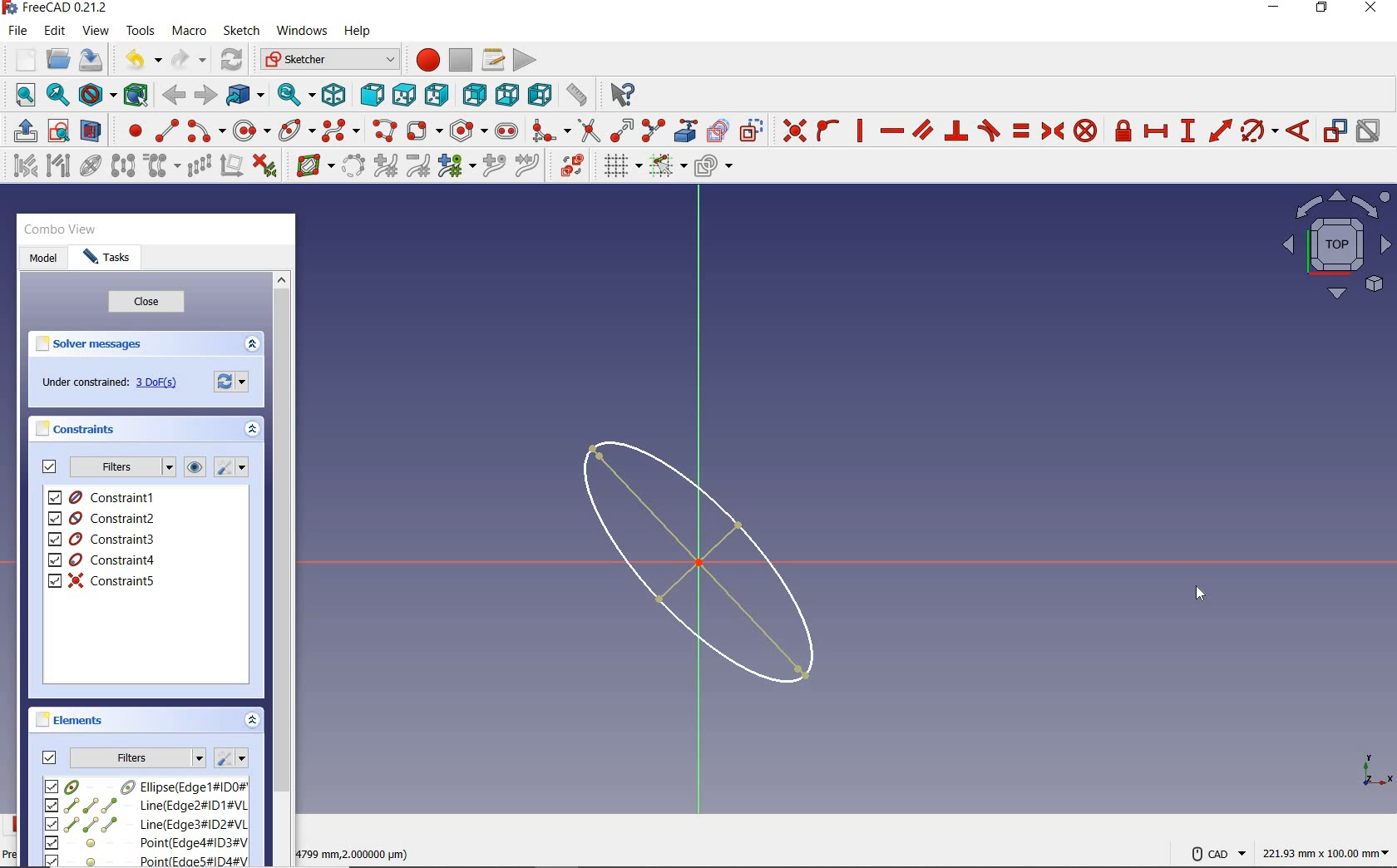  I want to click on show/hide B-spline information layer, so click(311, 165).